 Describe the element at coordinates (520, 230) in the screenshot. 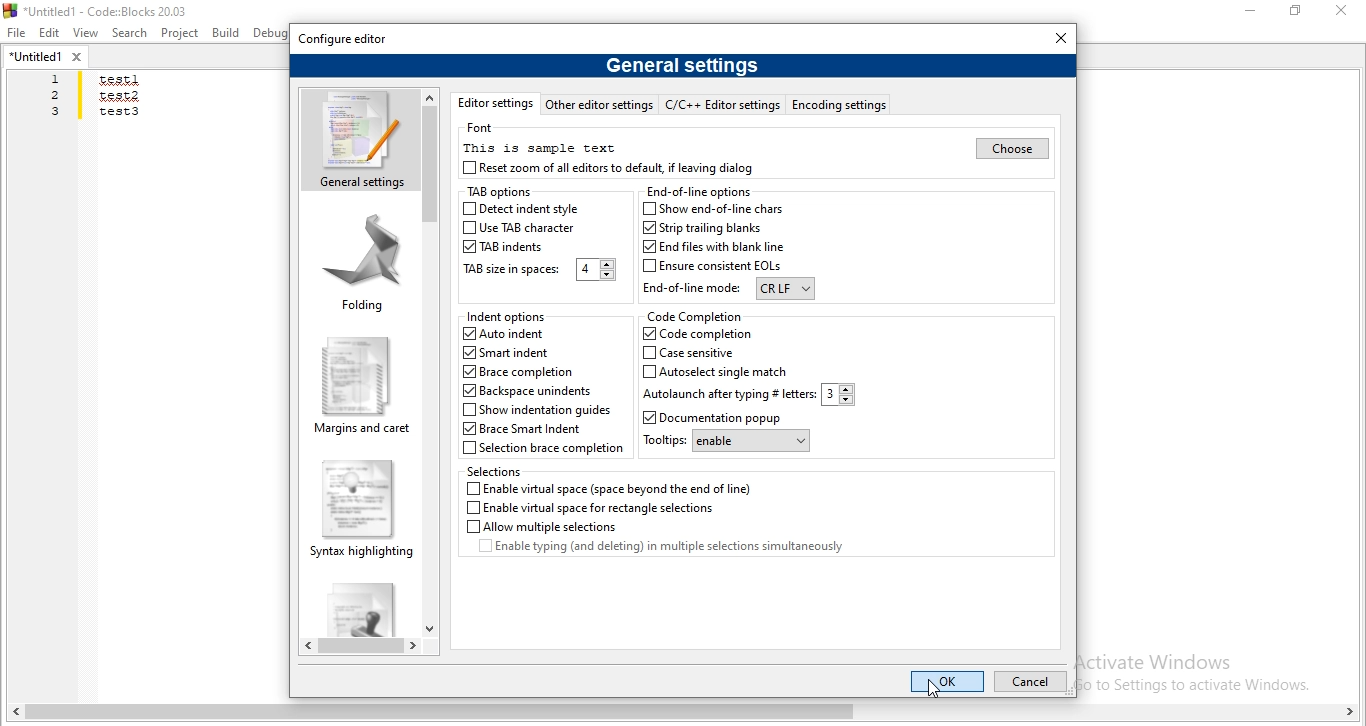

I see `Use TAB character` at that location.